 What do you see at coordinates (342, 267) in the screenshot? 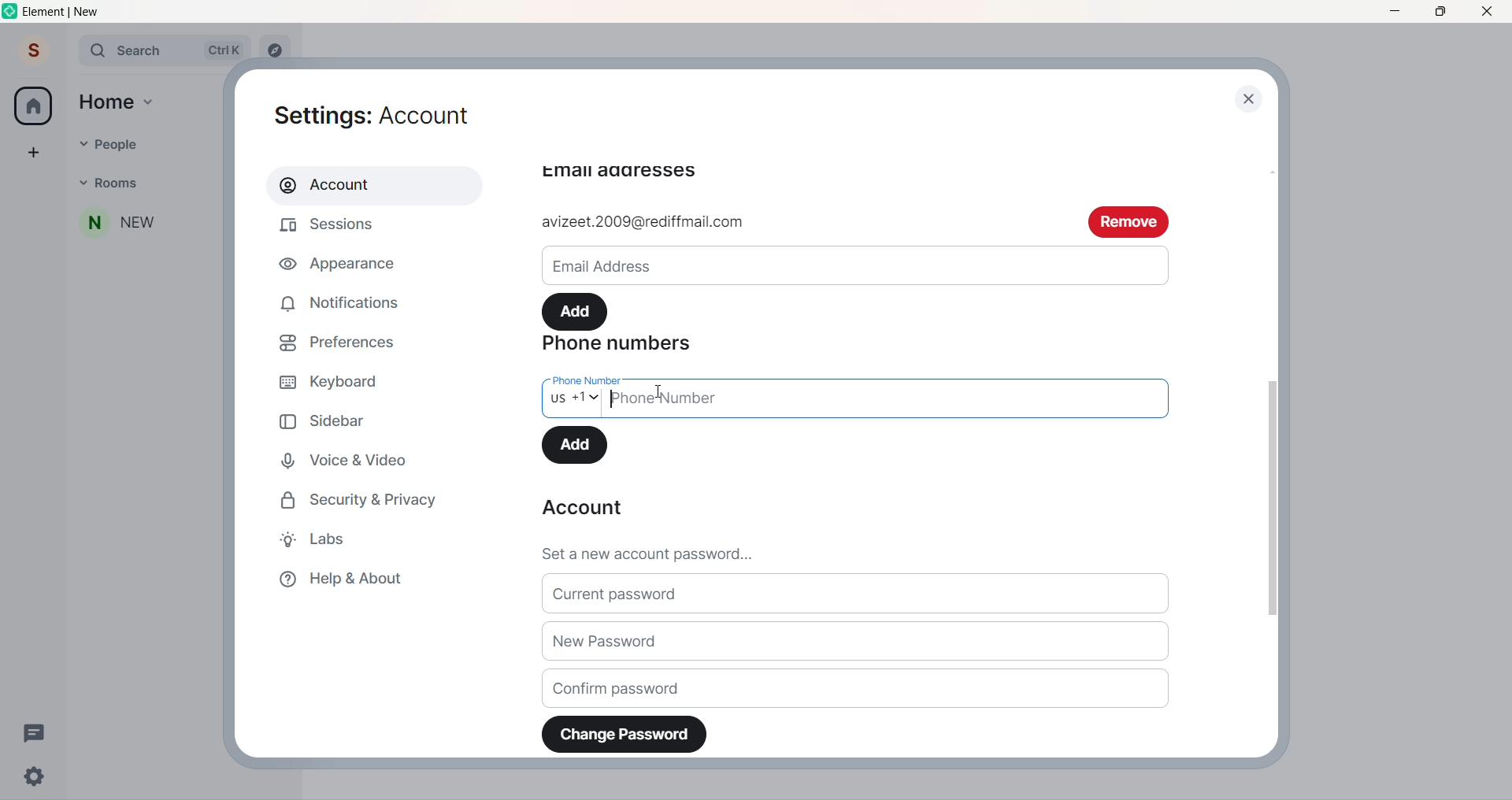
I see `Appearance` at bounding box center [342, 267].